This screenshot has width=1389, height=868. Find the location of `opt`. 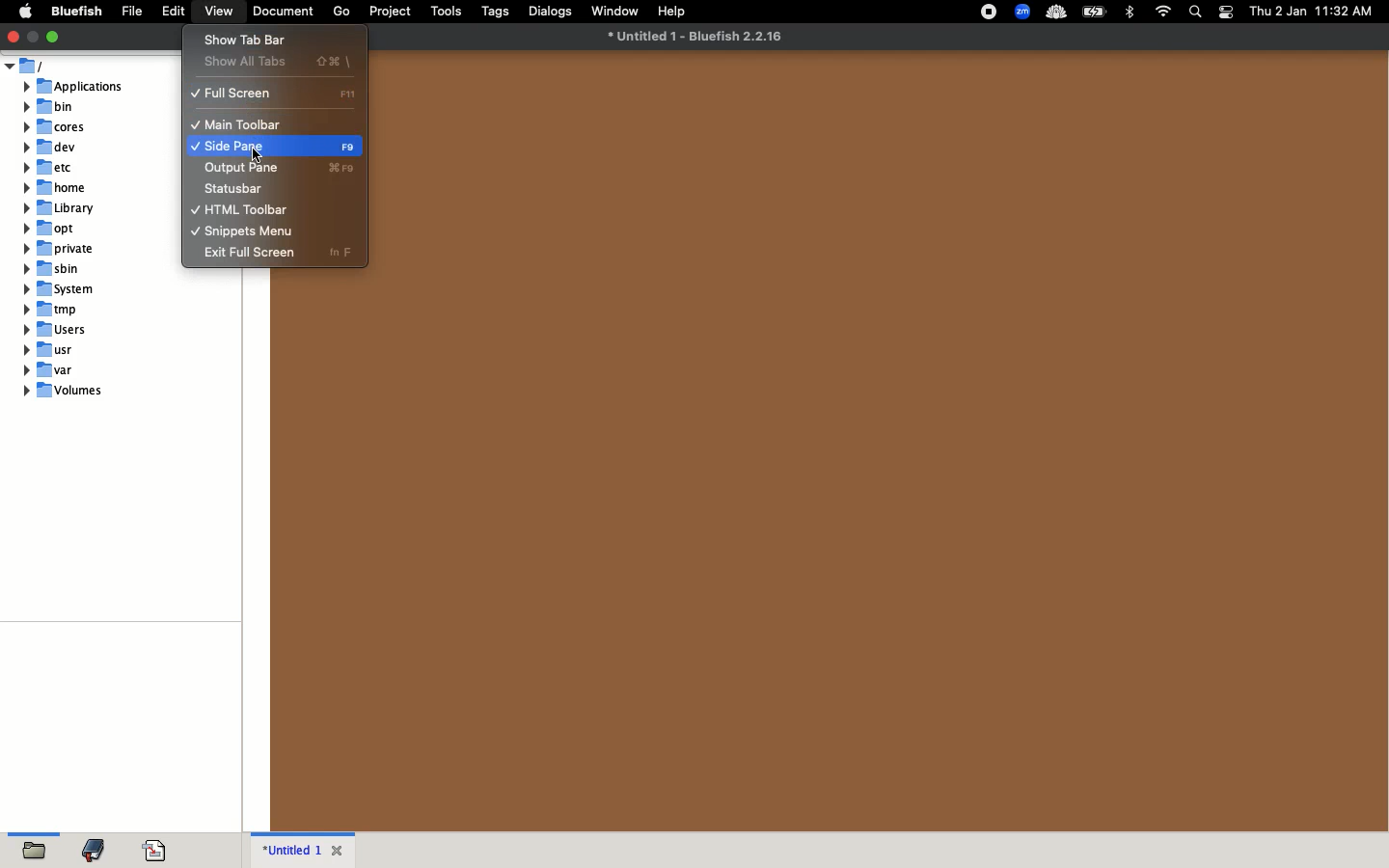

opt is located at coordinates (49, 227).